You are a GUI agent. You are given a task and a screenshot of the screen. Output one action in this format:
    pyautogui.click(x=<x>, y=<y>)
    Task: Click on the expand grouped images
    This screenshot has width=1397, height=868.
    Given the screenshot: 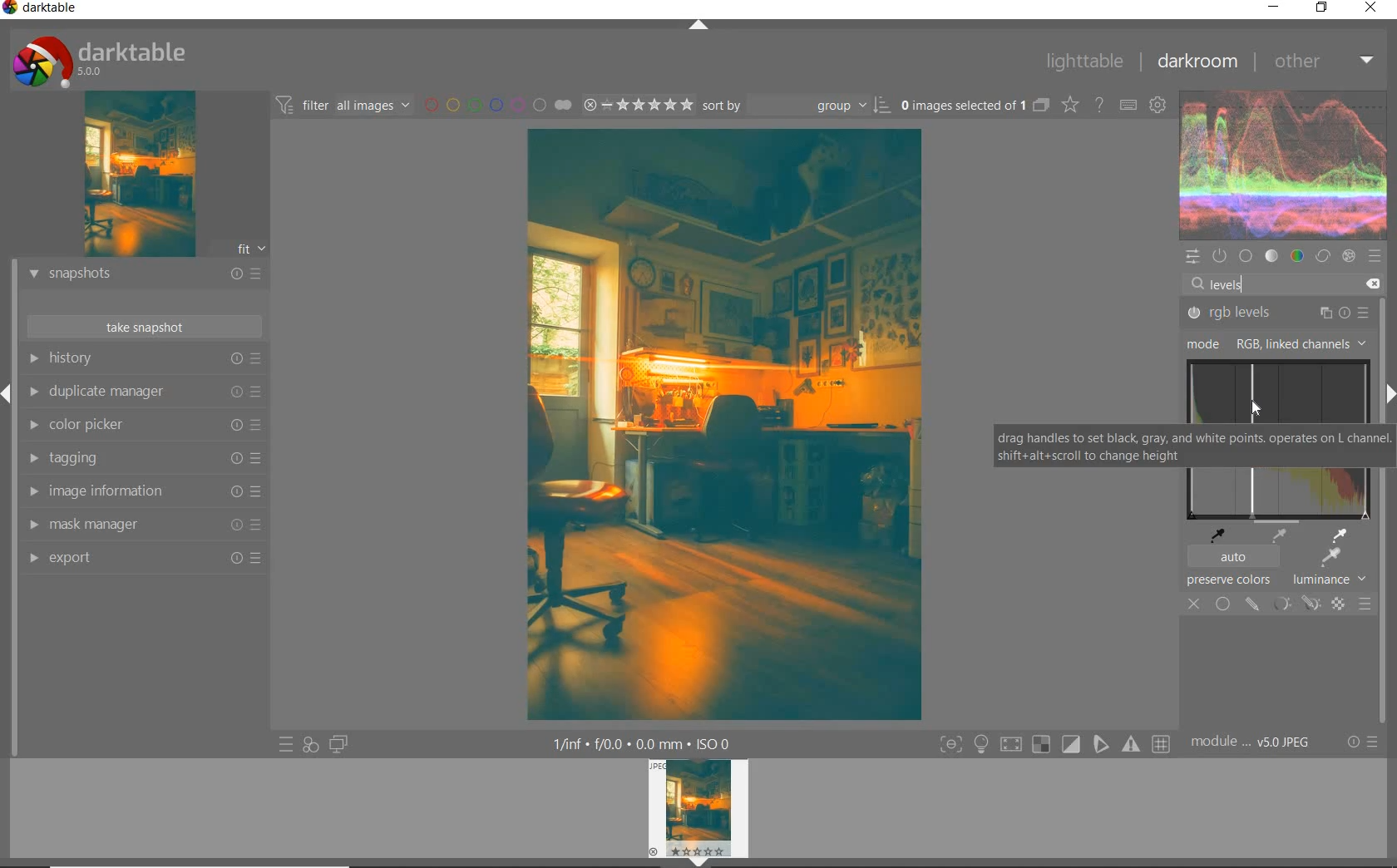 What is the action you would take?
    pyautogui.click(x=975, y=105)
    